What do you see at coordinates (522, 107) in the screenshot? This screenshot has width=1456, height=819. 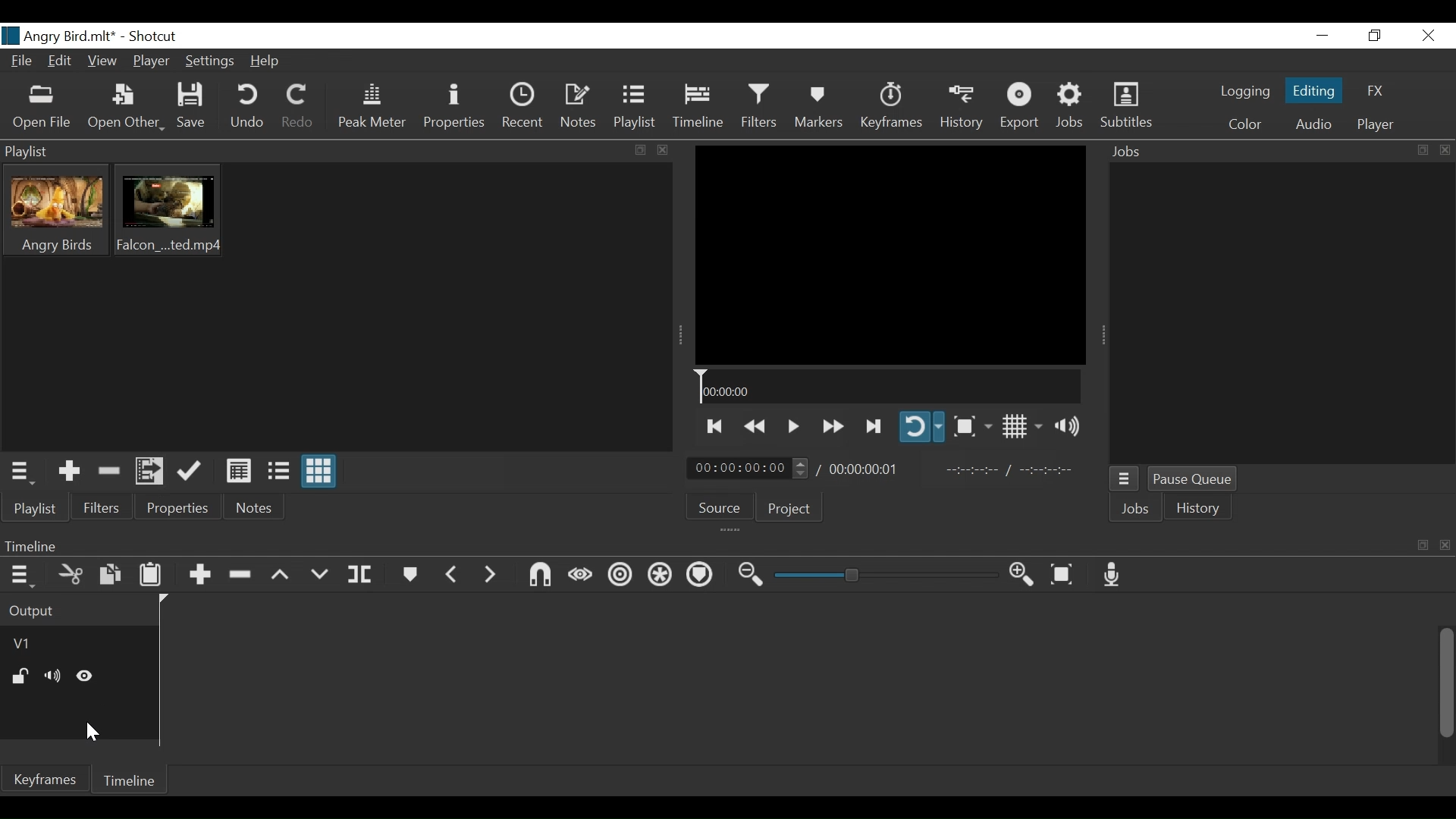 I see `` at bounding box center [522, 107].